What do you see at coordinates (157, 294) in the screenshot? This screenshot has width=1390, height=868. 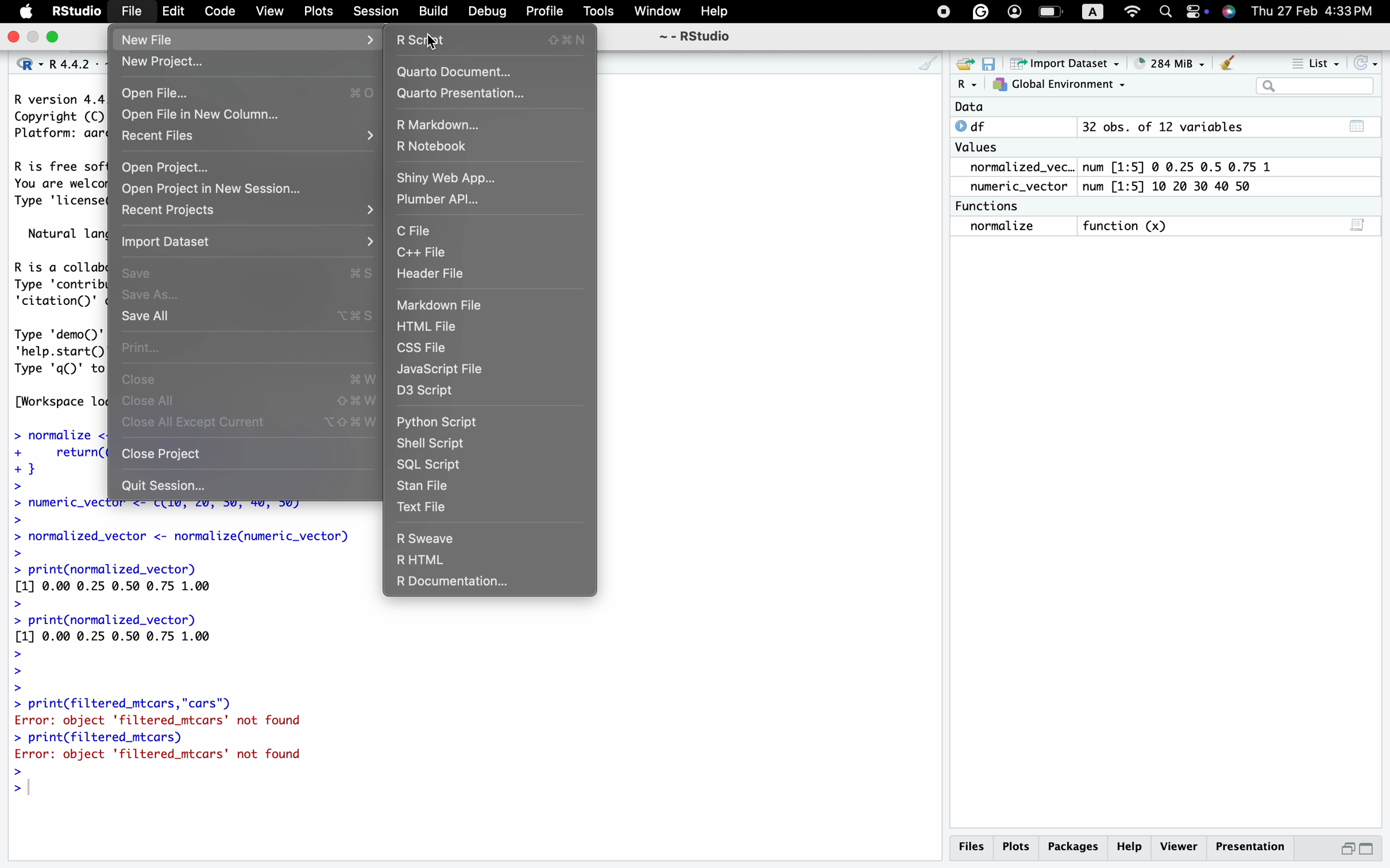 I see `Save As...` at bounding box center [157, 294].